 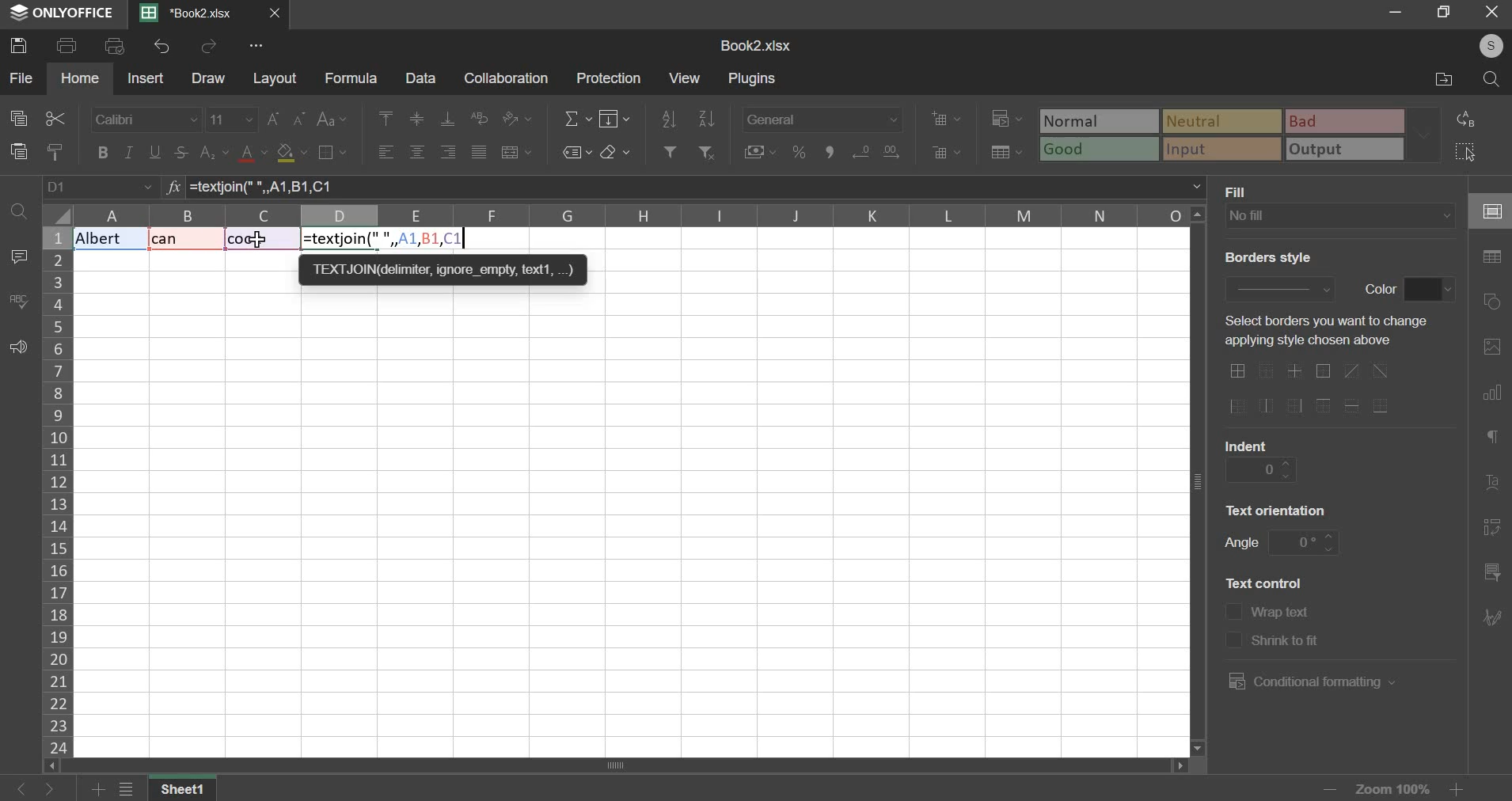 What do you see at coordinates (257, 245) in the screenshot?
I see `cursor` at bounding box center [257, 245].